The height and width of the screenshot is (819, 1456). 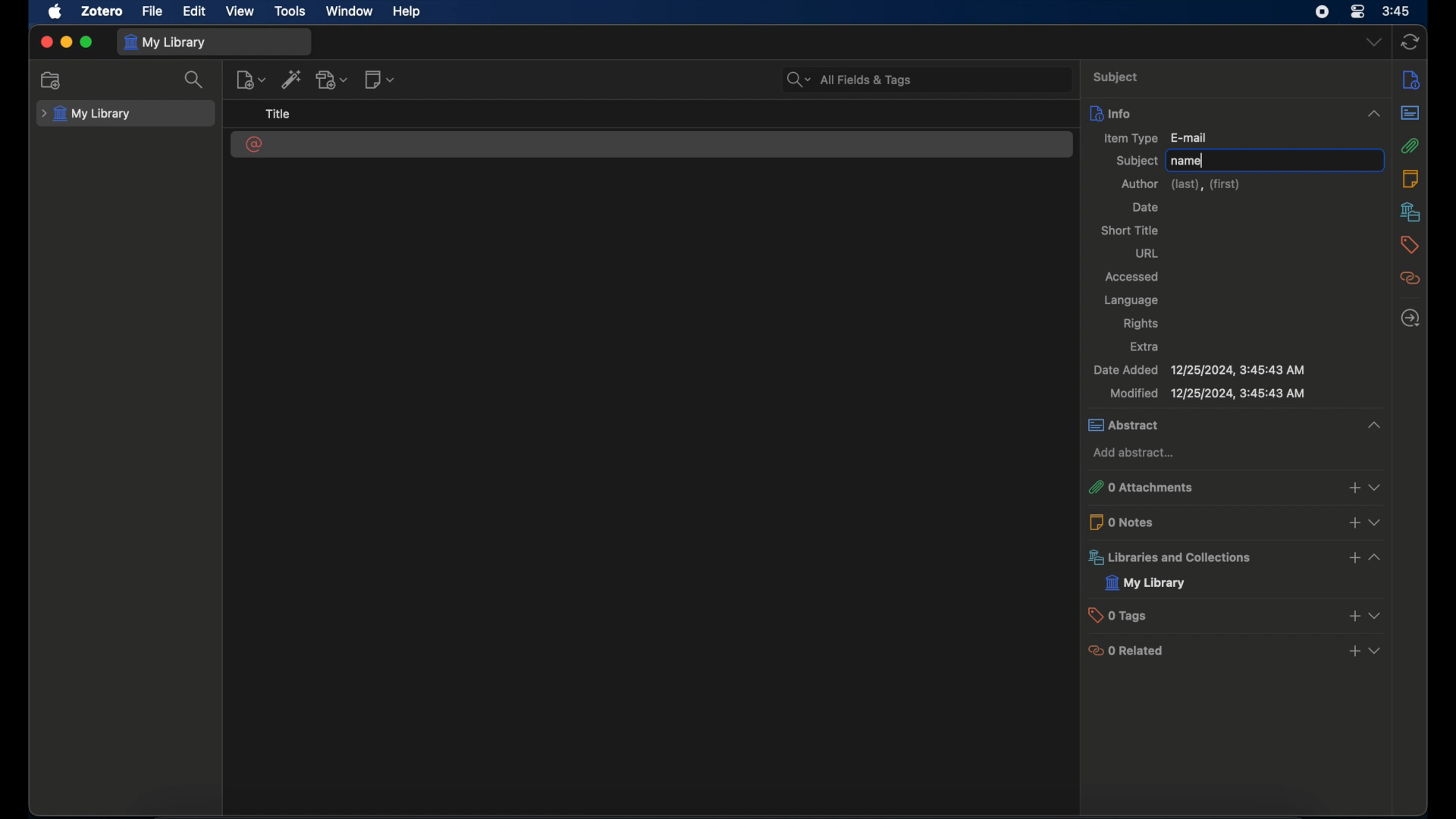 I want to click on author, so click(x=1182, y=184).